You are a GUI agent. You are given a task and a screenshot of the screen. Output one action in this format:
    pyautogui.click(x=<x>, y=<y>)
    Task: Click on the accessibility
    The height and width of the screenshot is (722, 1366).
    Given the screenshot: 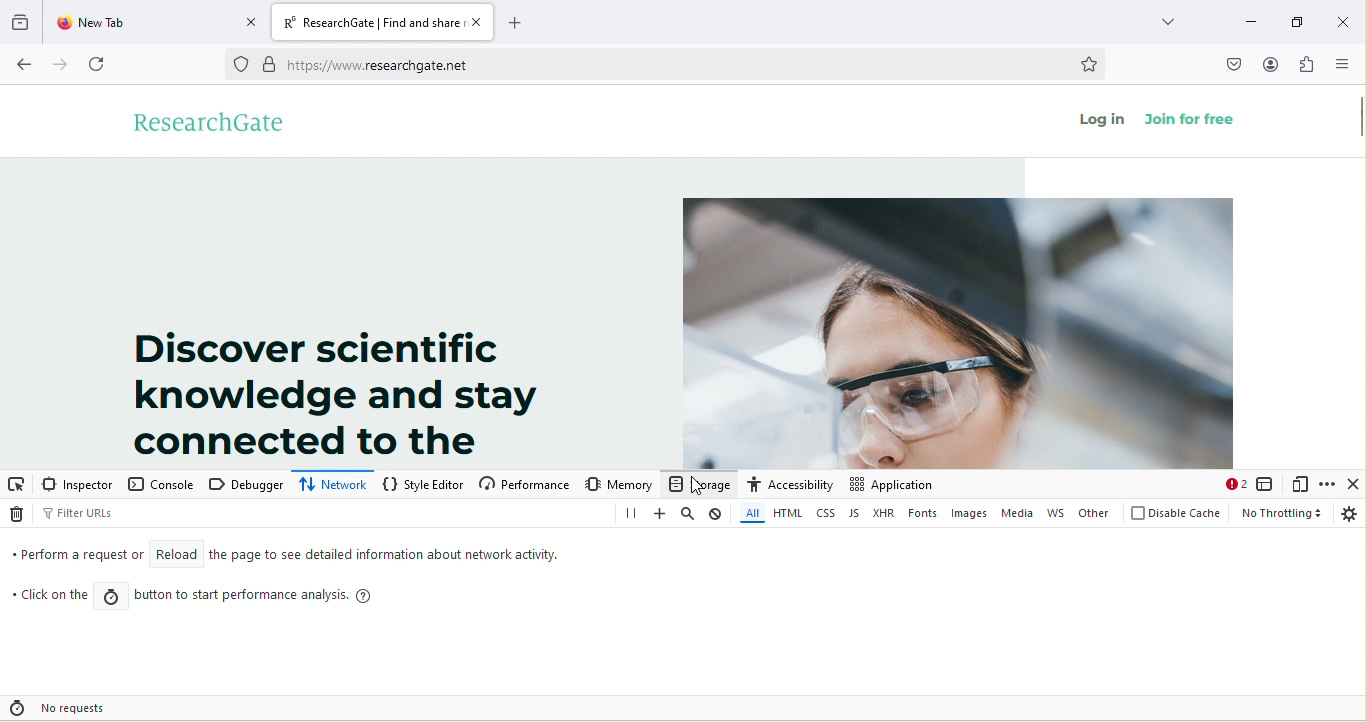 What is the action you would take?
    pyautogui.click(x=787, y=485)
    